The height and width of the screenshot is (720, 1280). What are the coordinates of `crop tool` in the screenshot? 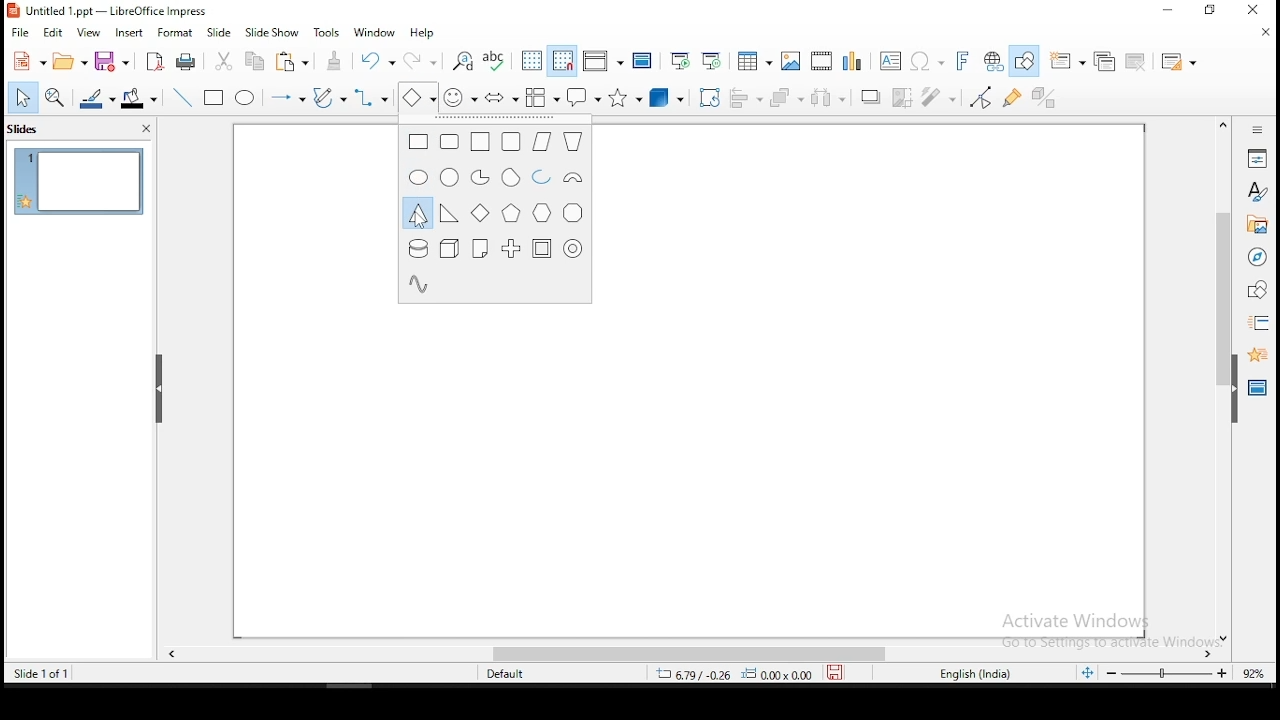 It's located at (707, 97).